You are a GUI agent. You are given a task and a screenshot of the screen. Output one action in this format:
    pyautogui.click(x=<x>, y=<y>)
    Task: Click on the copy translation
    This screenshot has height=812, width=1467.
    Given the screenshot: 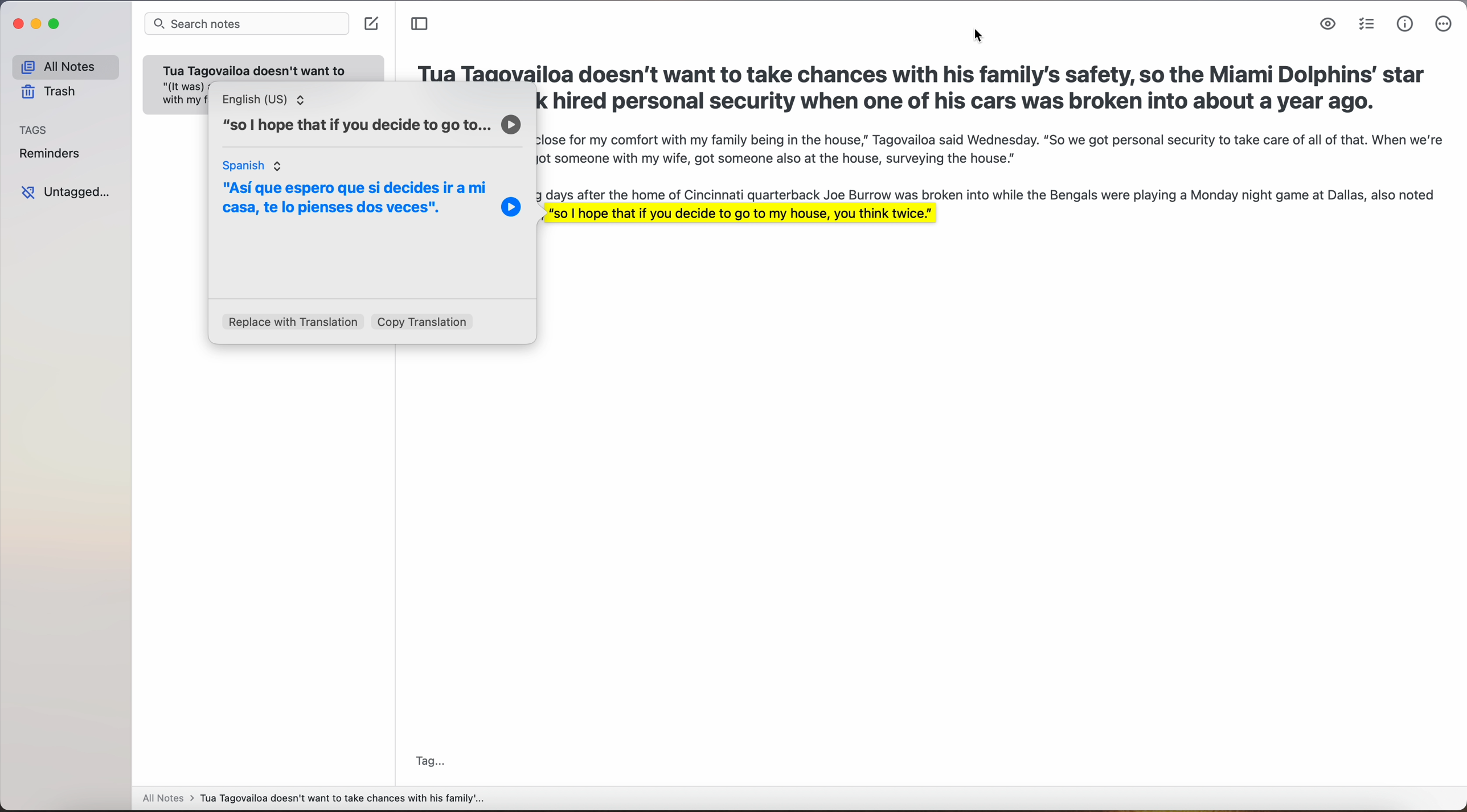 What is the action you would take?
    pyautogui.click(x=429, y=324)
    